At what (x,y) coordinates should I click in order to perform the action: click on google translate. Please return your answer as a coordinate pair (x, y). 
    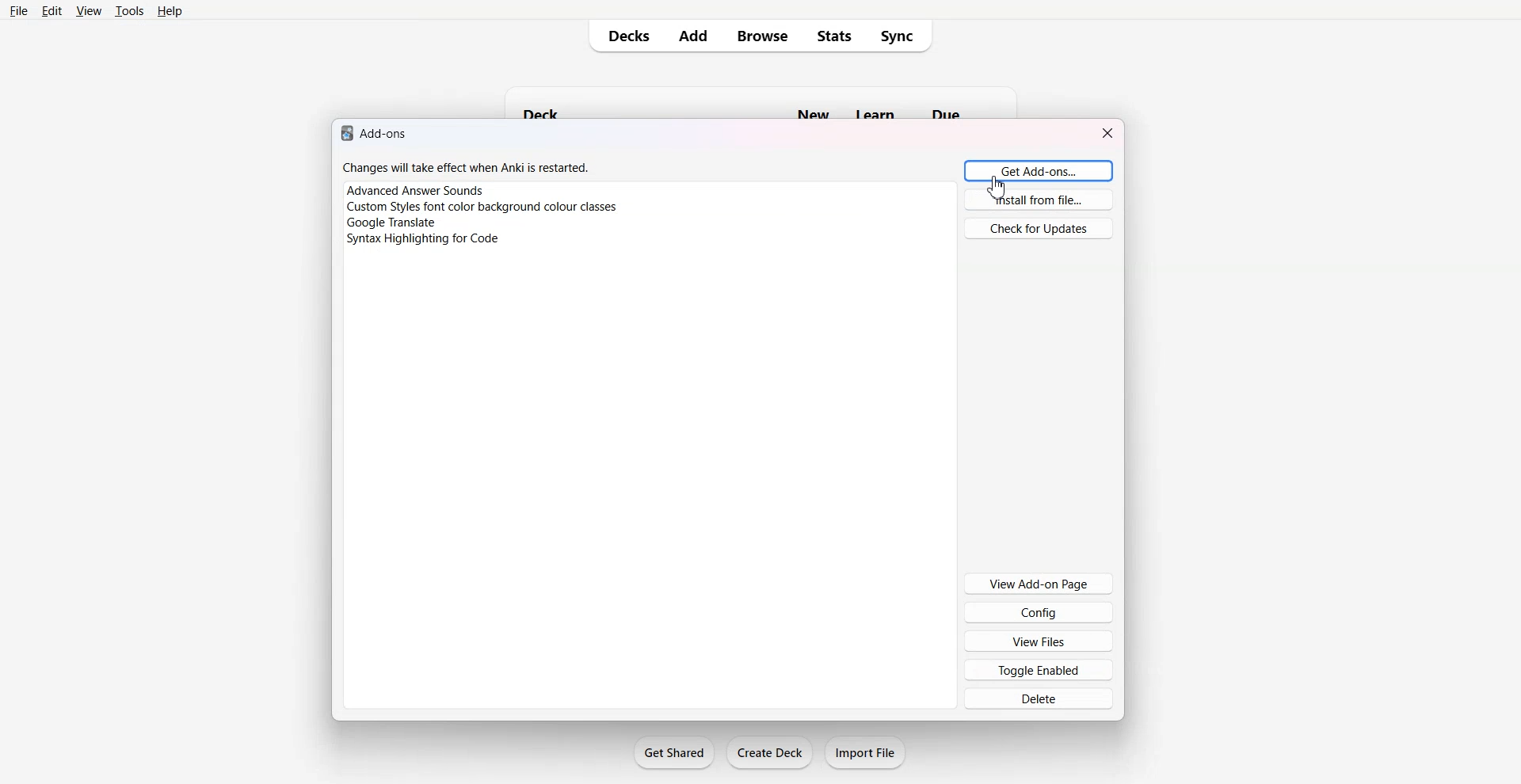
    Looking at the image, I should click on (390, 223).